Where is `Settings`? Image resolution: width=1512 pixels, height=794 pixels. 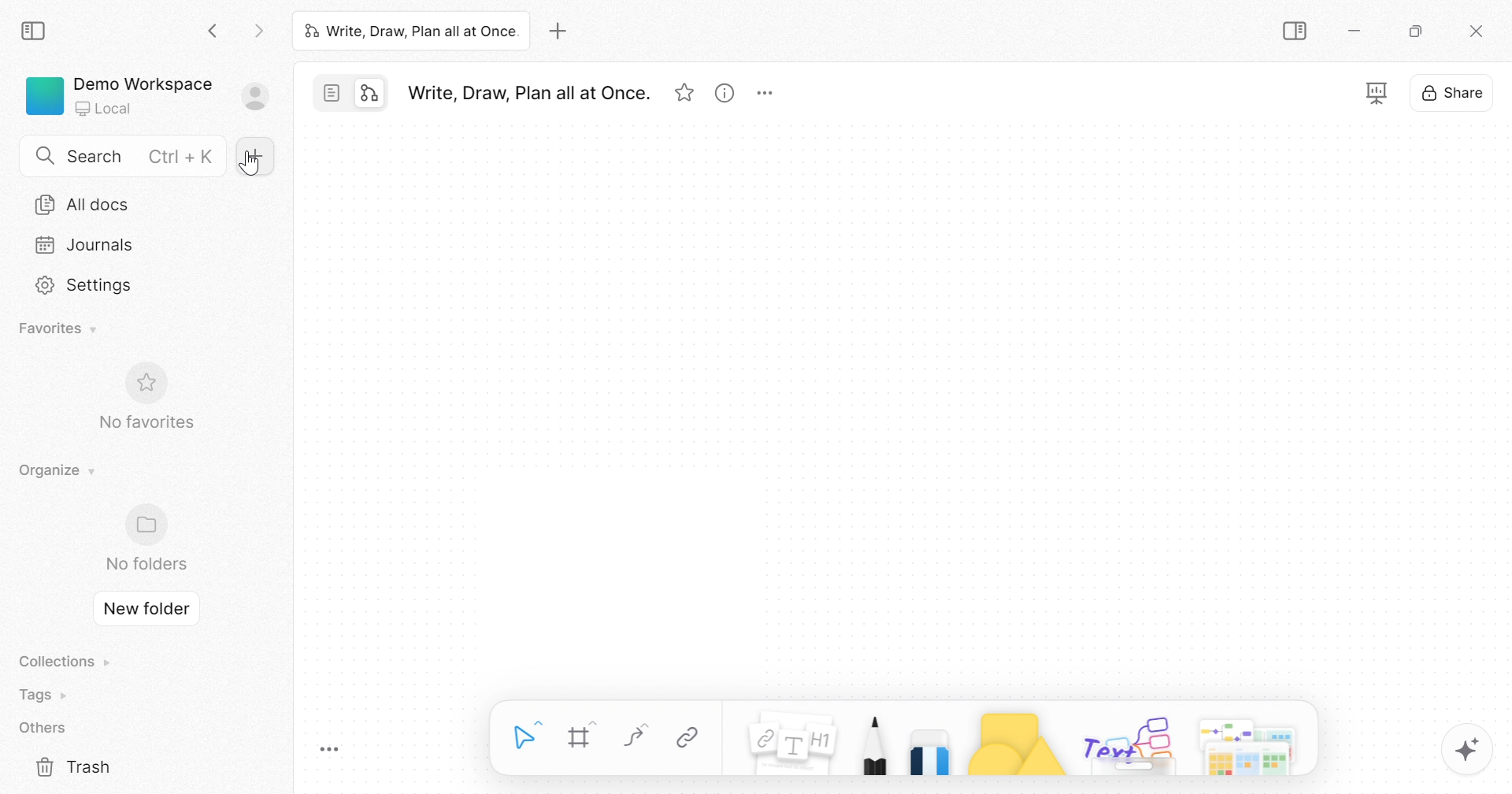
Settings is located at coordinates (88, 287).